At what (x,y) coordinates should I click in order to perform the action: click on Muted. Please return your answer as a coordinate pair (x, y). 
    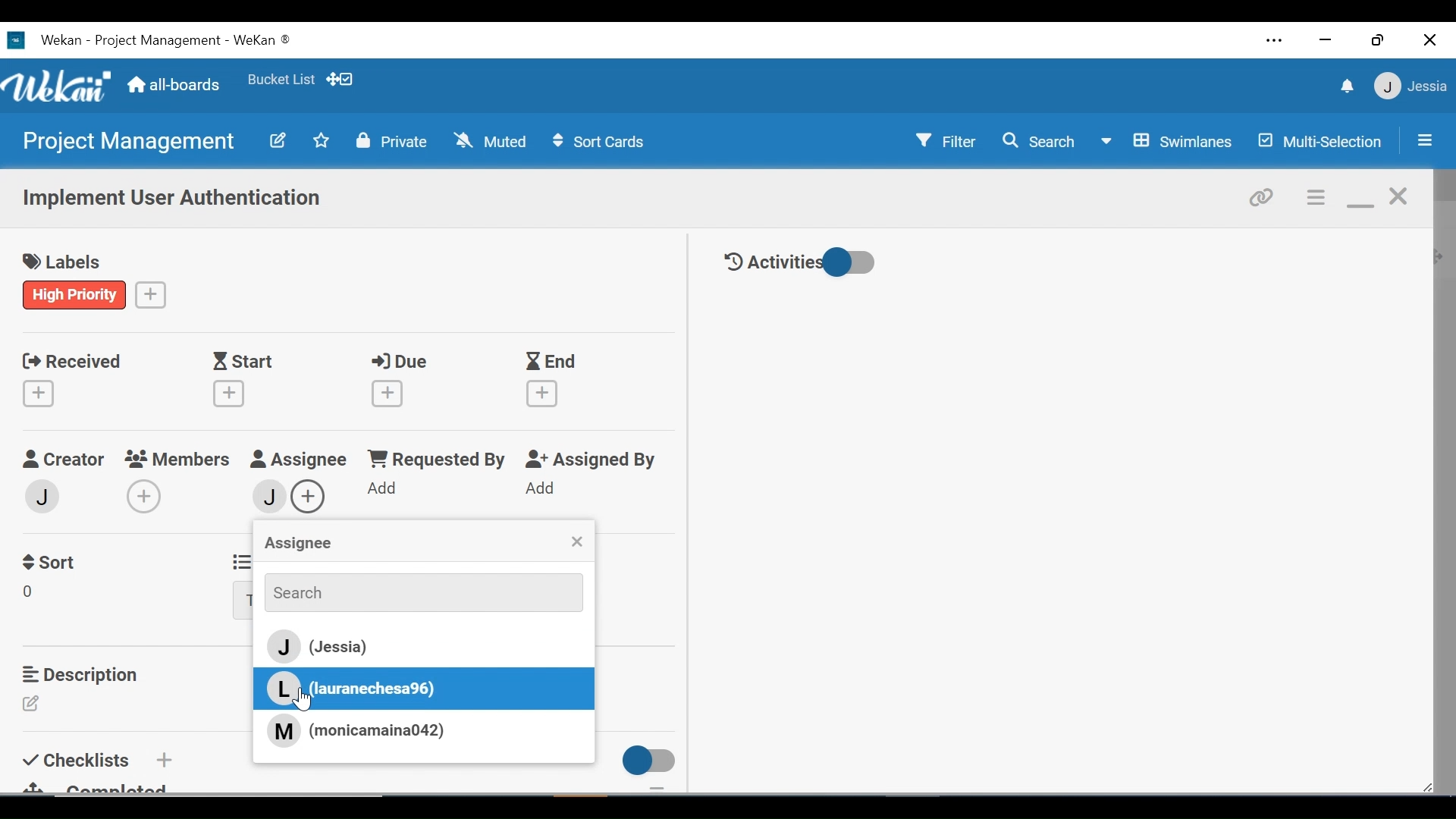
    Looking at the image, I should click on (494, 140).